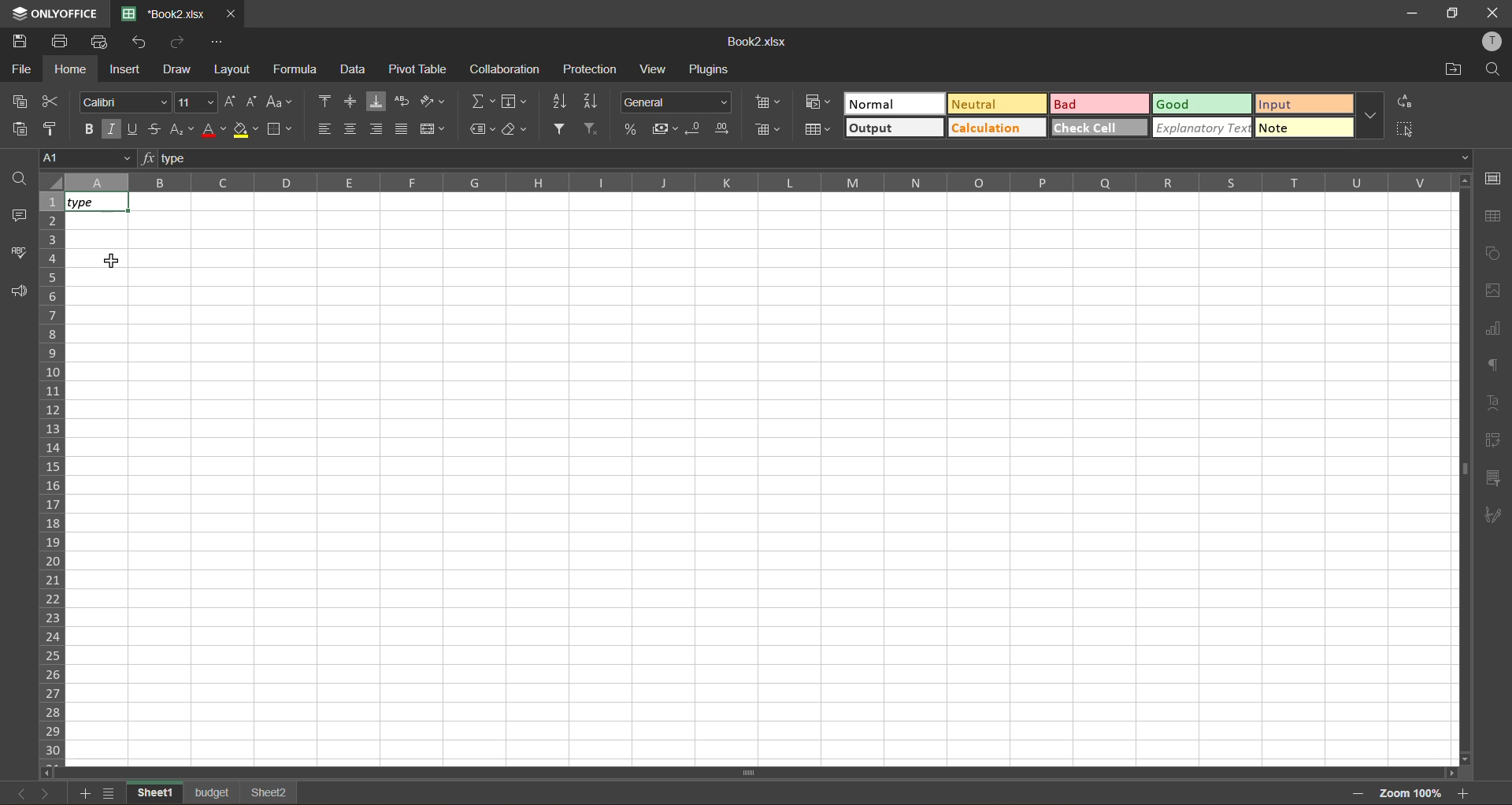 The height and width of the screenshot is (805, 1512). I want to click on Book2.xlsx, so click(156, 11).